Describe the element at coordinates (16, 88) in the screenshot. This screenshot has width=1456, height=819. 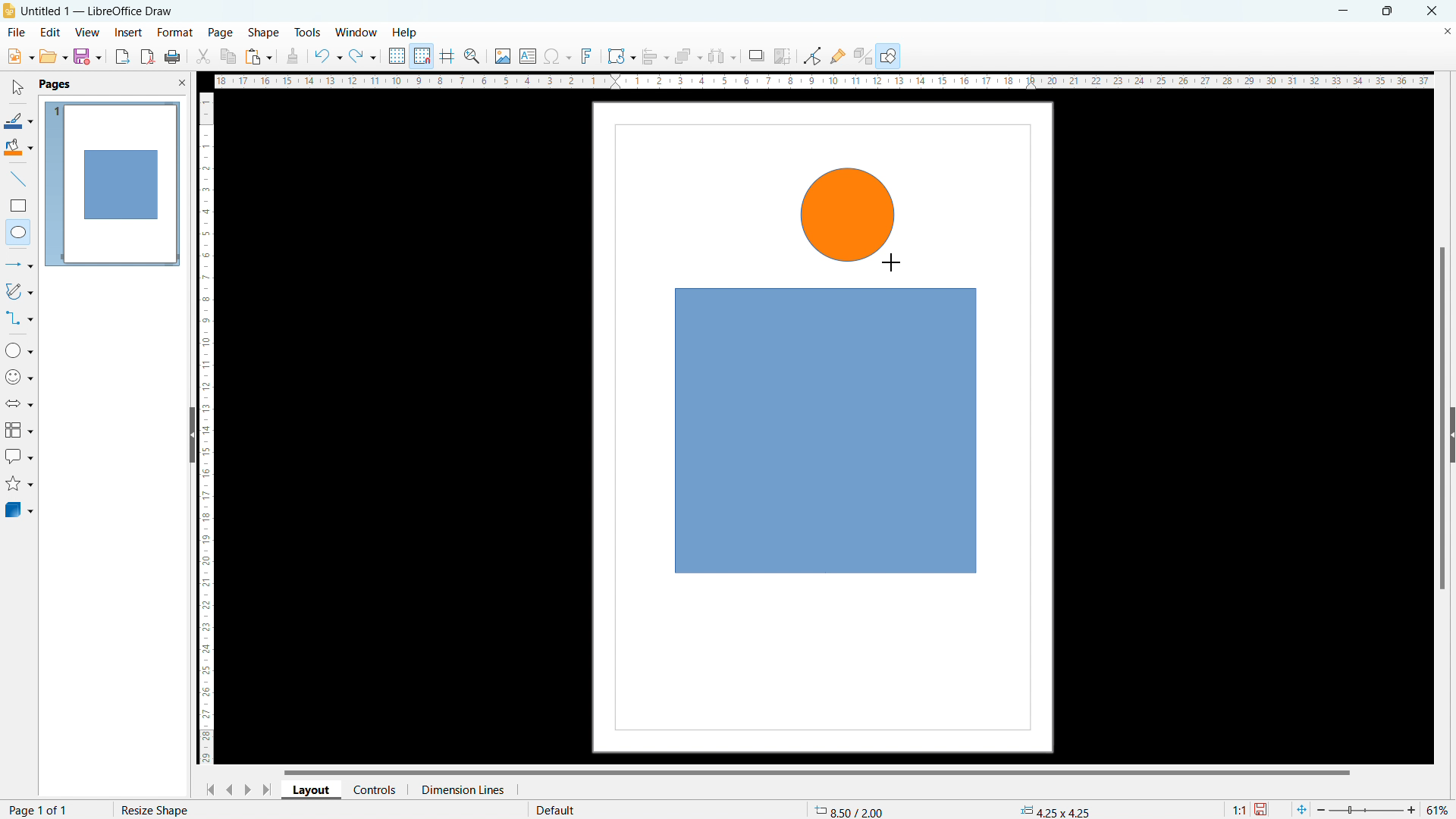
I see `select` at that location.